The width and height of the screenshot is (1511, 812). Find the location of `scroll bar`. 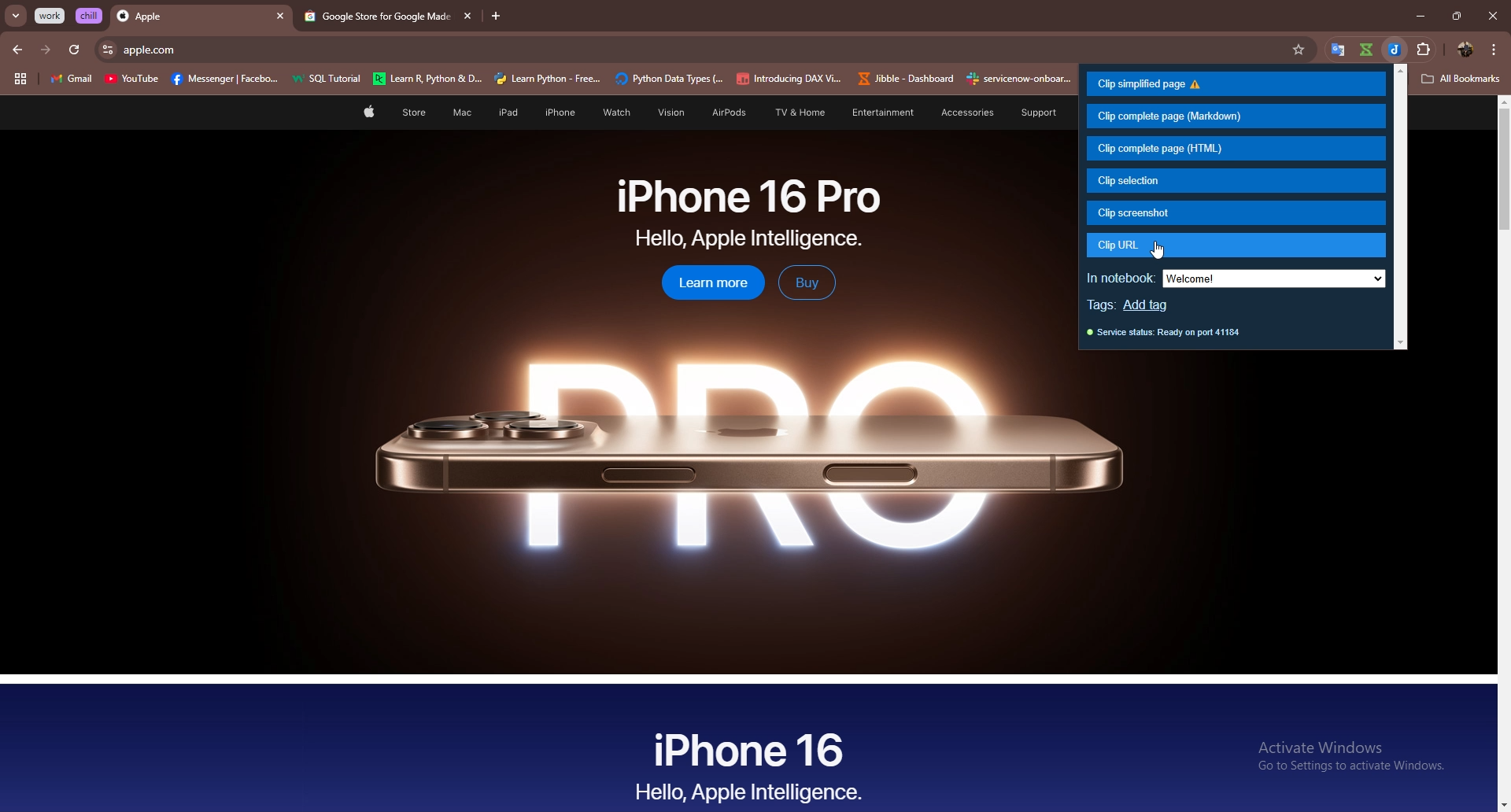

scroll bar is located at coordinates (1402, 208).